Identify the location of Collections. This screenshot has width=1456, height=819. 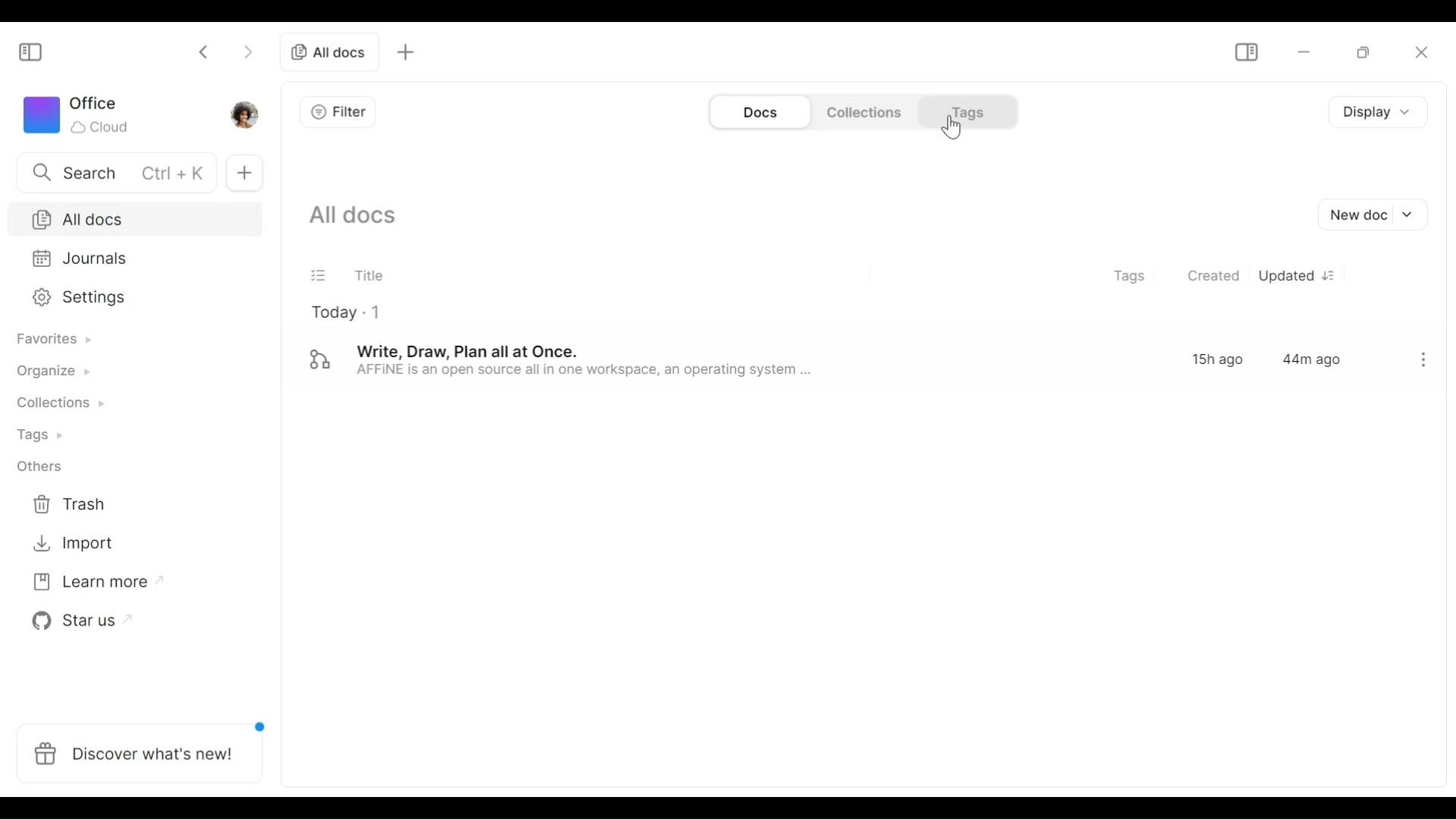
(861, 112).